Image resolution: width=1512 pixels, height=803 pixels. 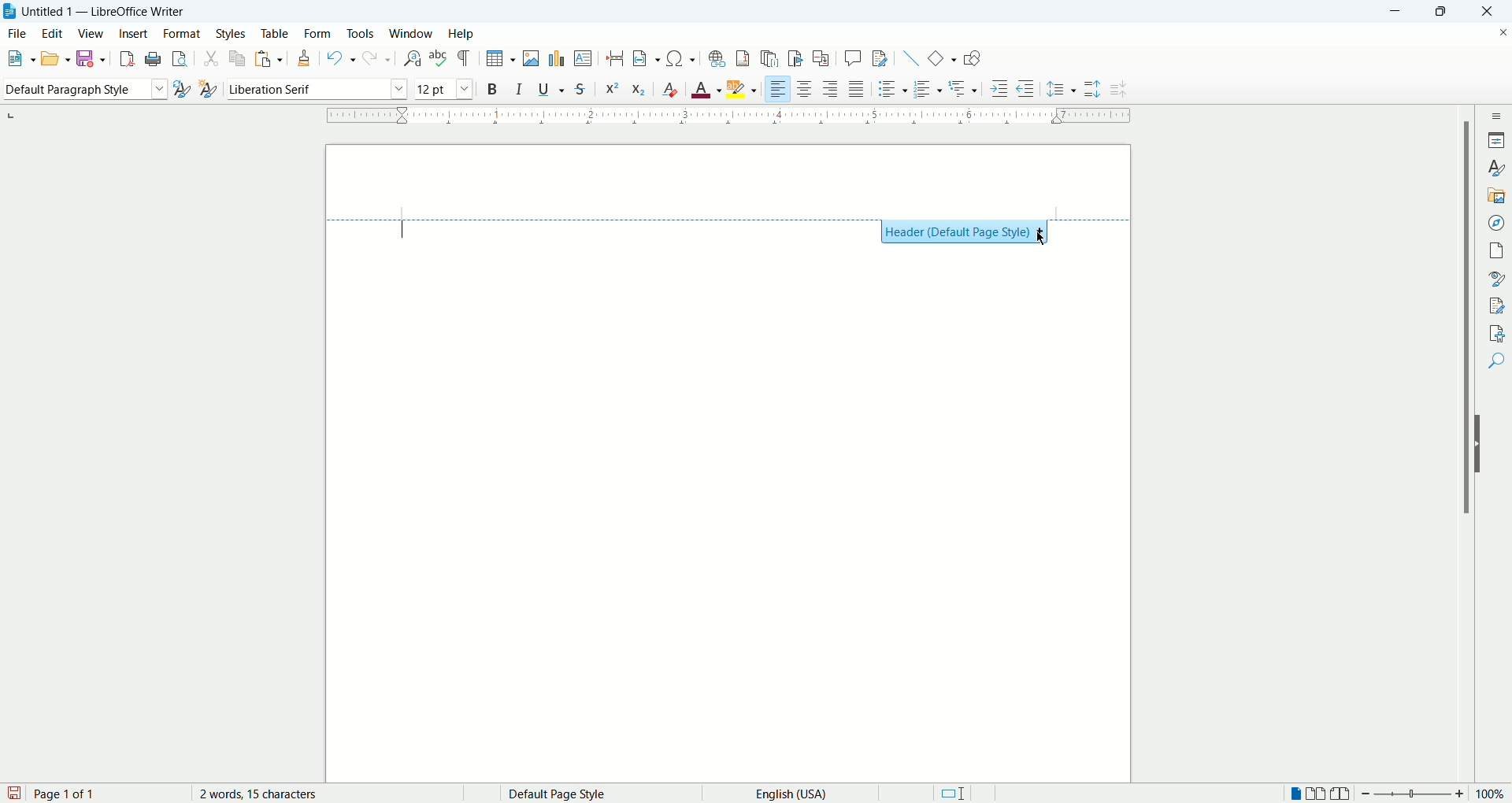 What do you see at coordinates (642, 59) in the screenshot?
I see `insert field` at bounding box center [642, 59].